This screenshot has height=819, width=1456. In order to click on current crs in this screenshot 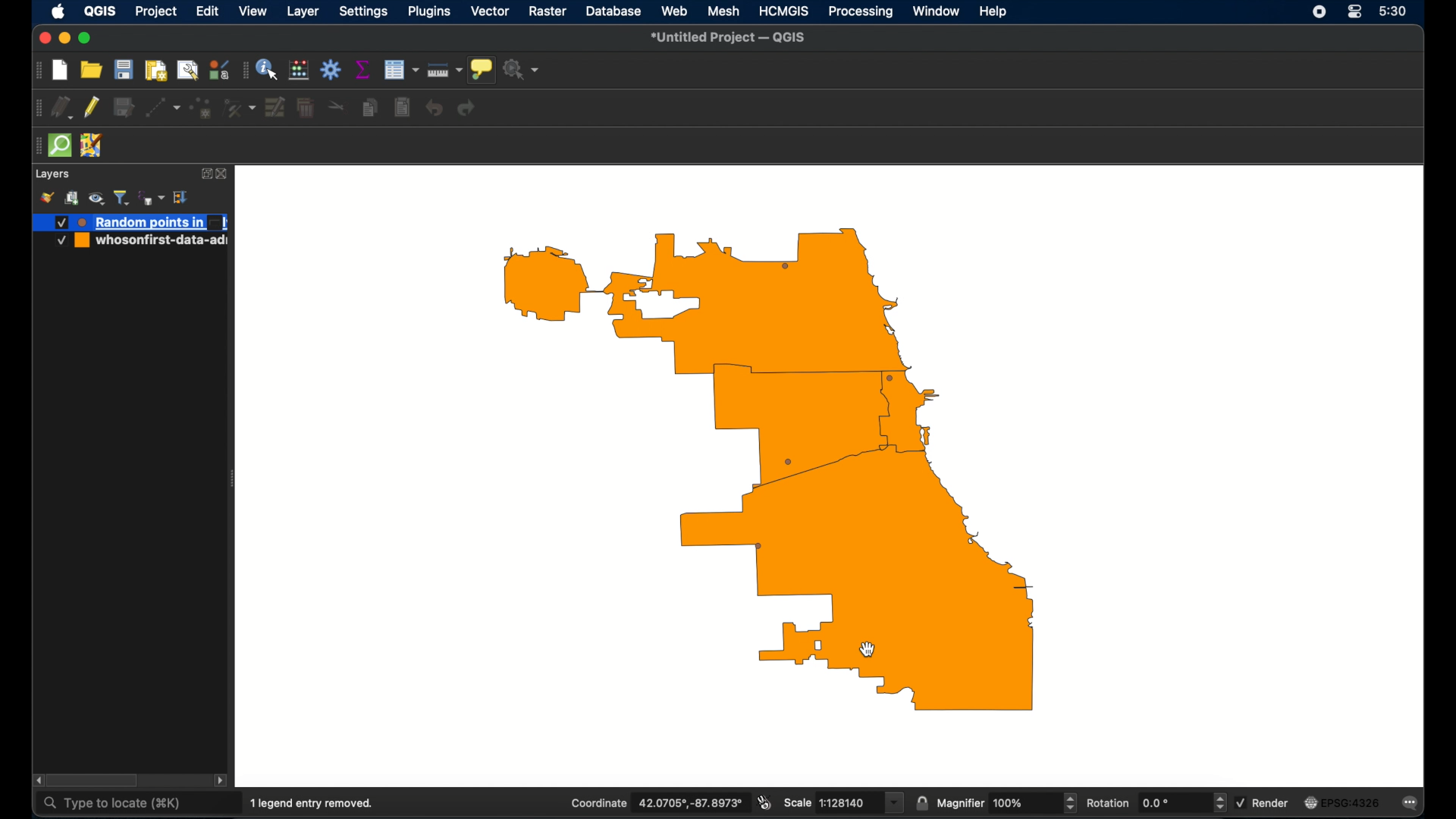, I will do `click(1341, 803)`.